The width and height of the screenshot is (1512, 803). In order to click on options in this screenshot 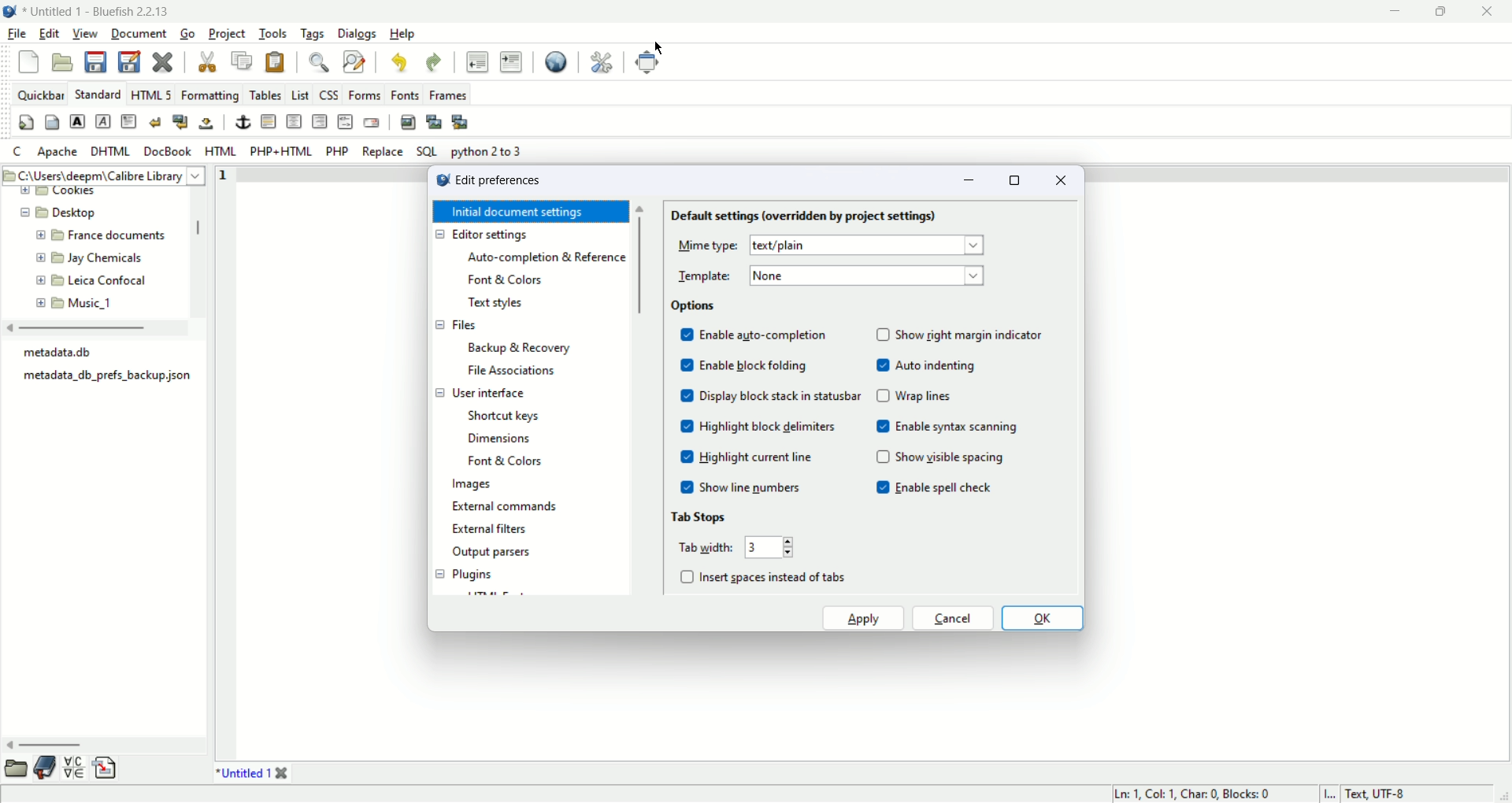, I will do `click(694, 305)`.